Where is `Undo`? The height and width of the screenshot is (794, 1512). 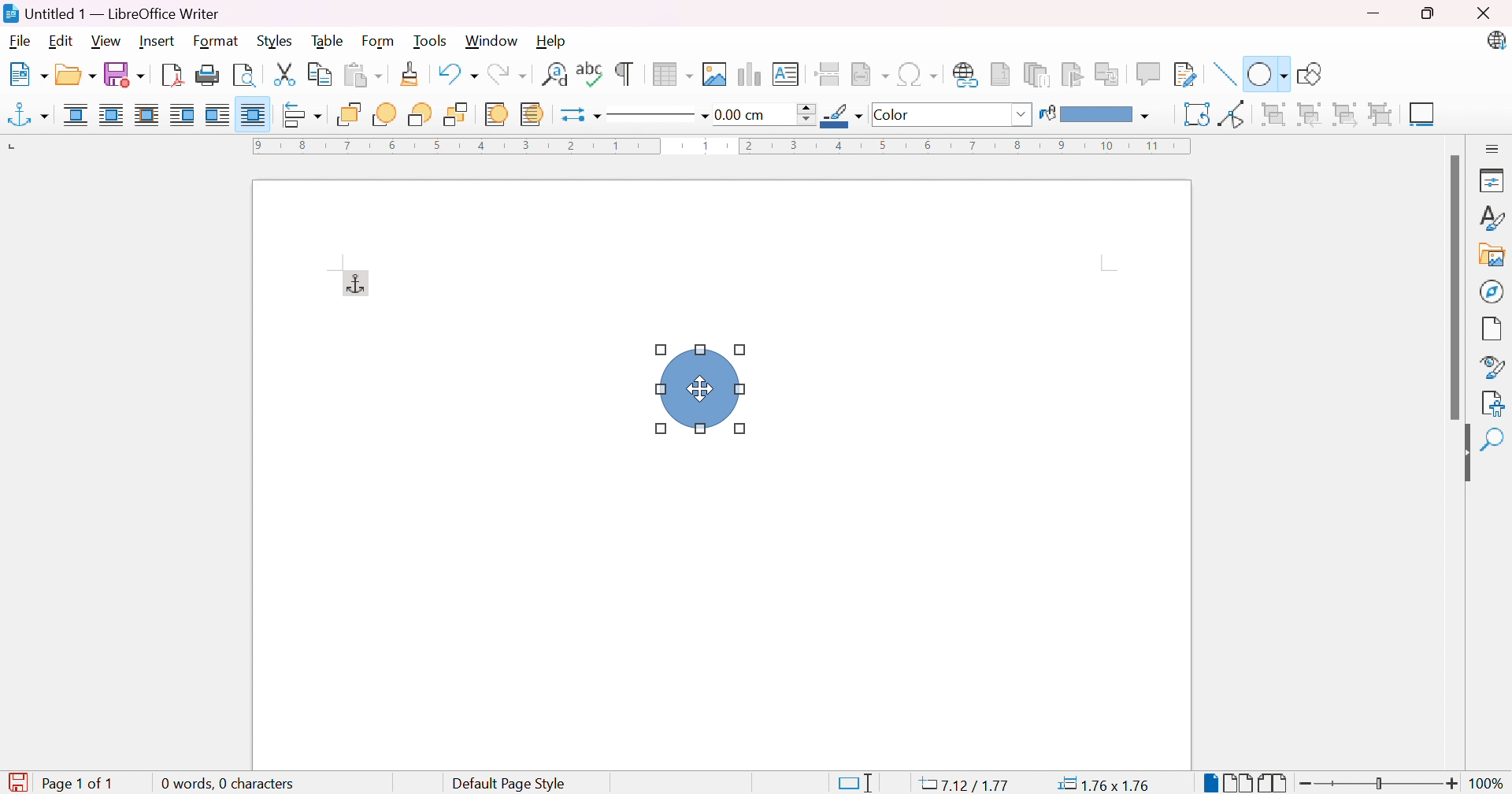
Undo is located at coordinates (456, 70).